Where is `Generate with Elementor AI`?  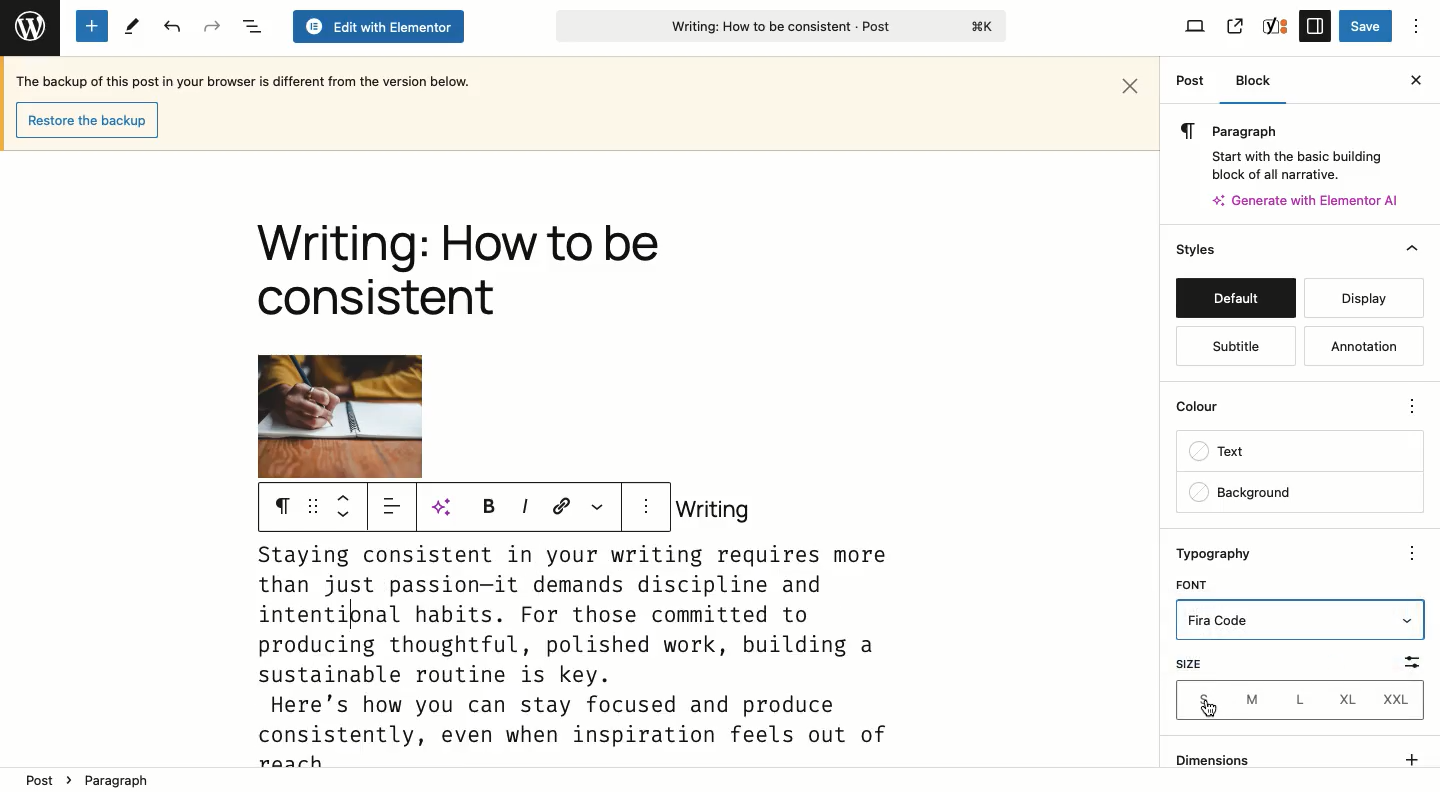 Generate with Elementor AI is located at coordinates (1307, 200).